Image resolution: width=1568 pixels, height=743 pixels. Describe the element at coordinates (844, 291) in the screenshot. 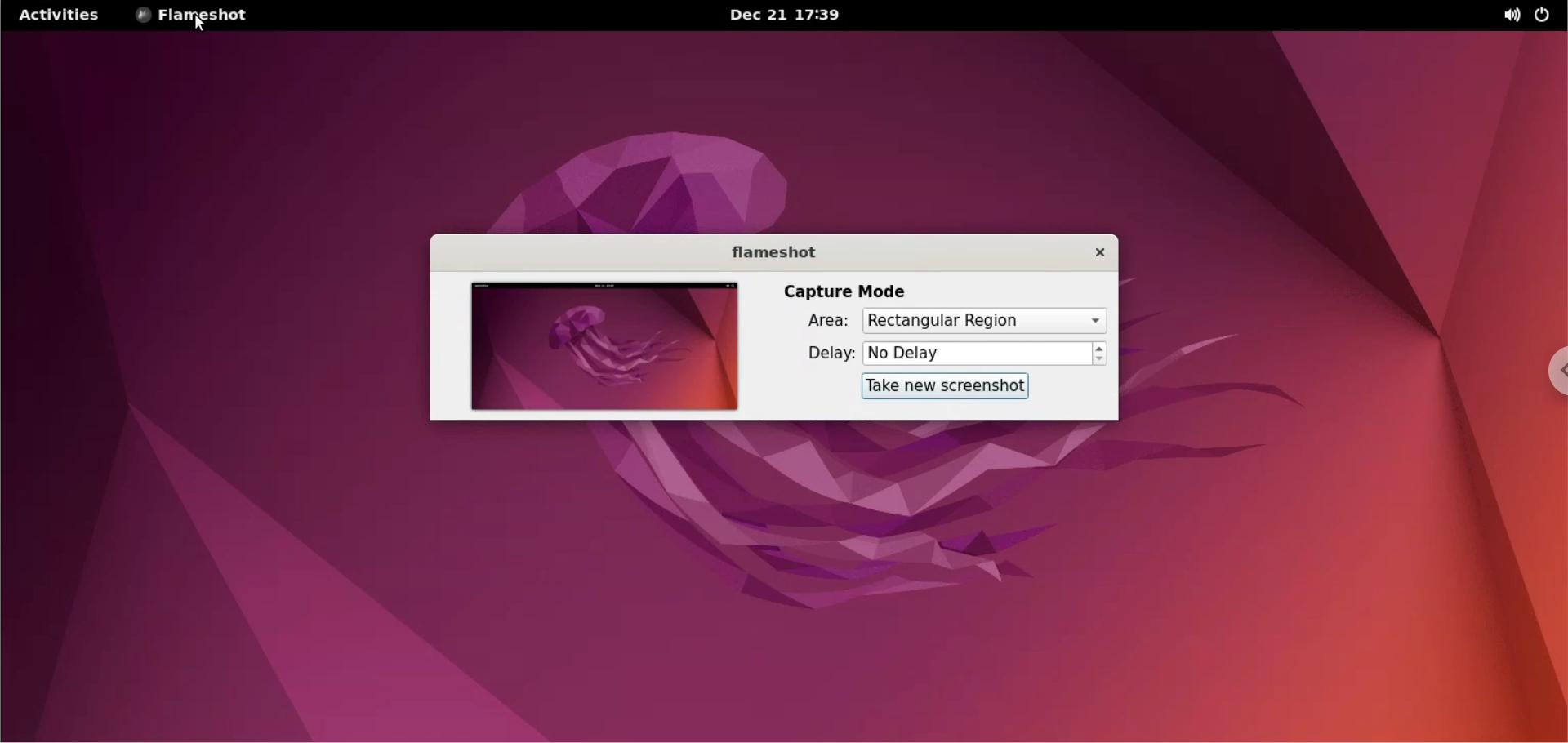

I see `capture mode` at that location.